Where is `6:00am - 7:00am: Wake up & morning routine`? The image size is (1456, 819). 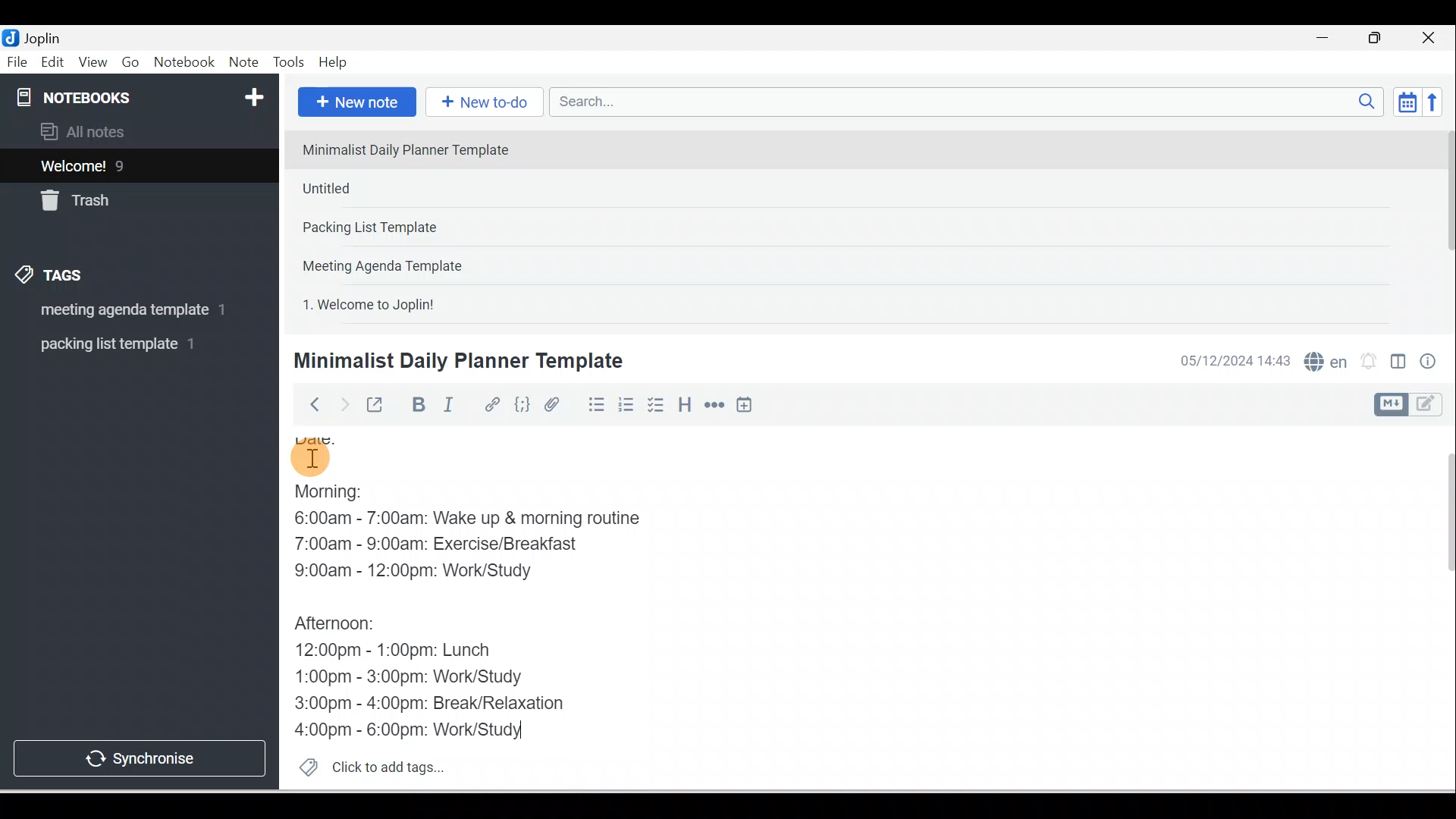 6:00am - 7:00am: Wake up & morning routine is located at coordinates (482, 521).